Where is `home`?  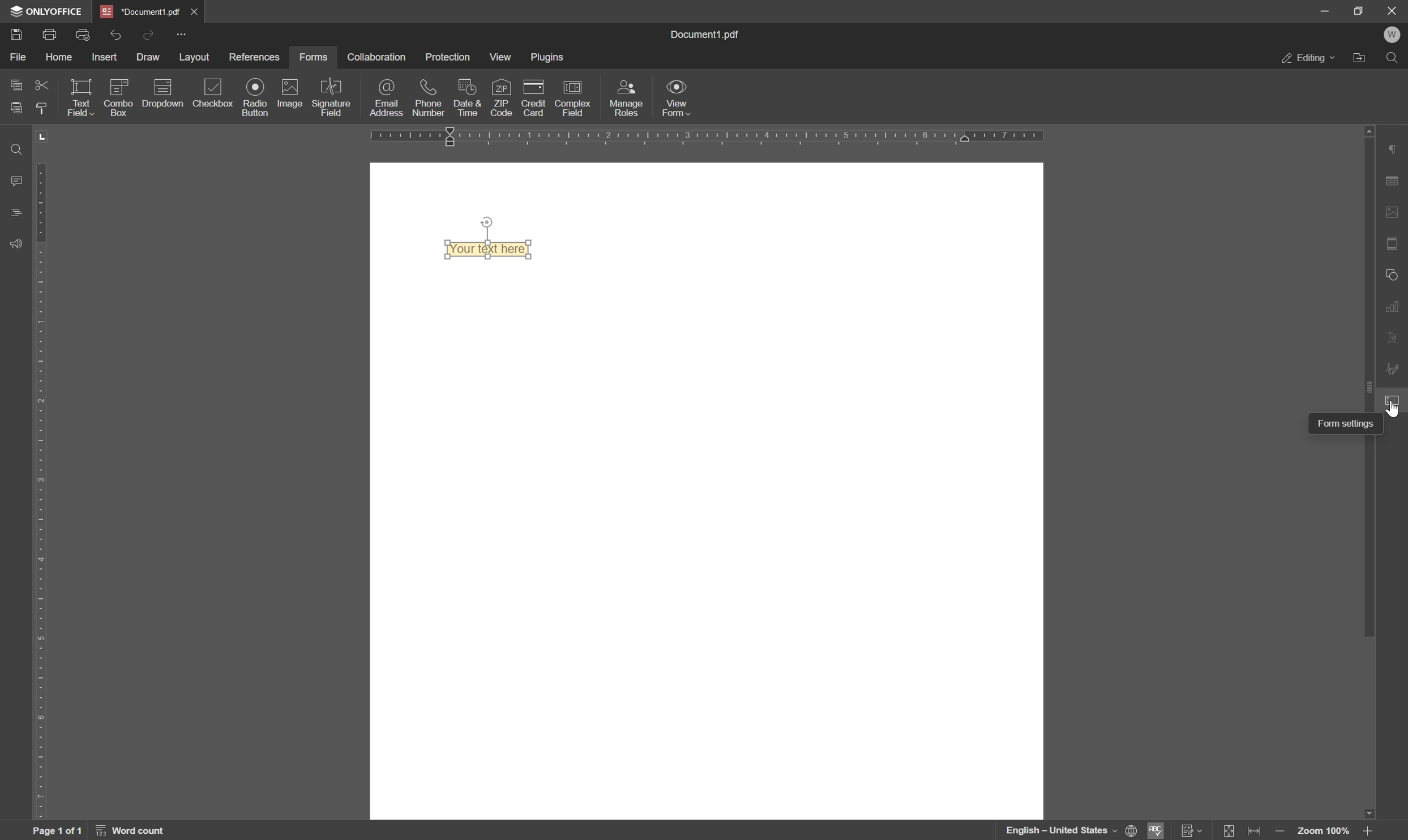
home is located at coordinates (60, 59).